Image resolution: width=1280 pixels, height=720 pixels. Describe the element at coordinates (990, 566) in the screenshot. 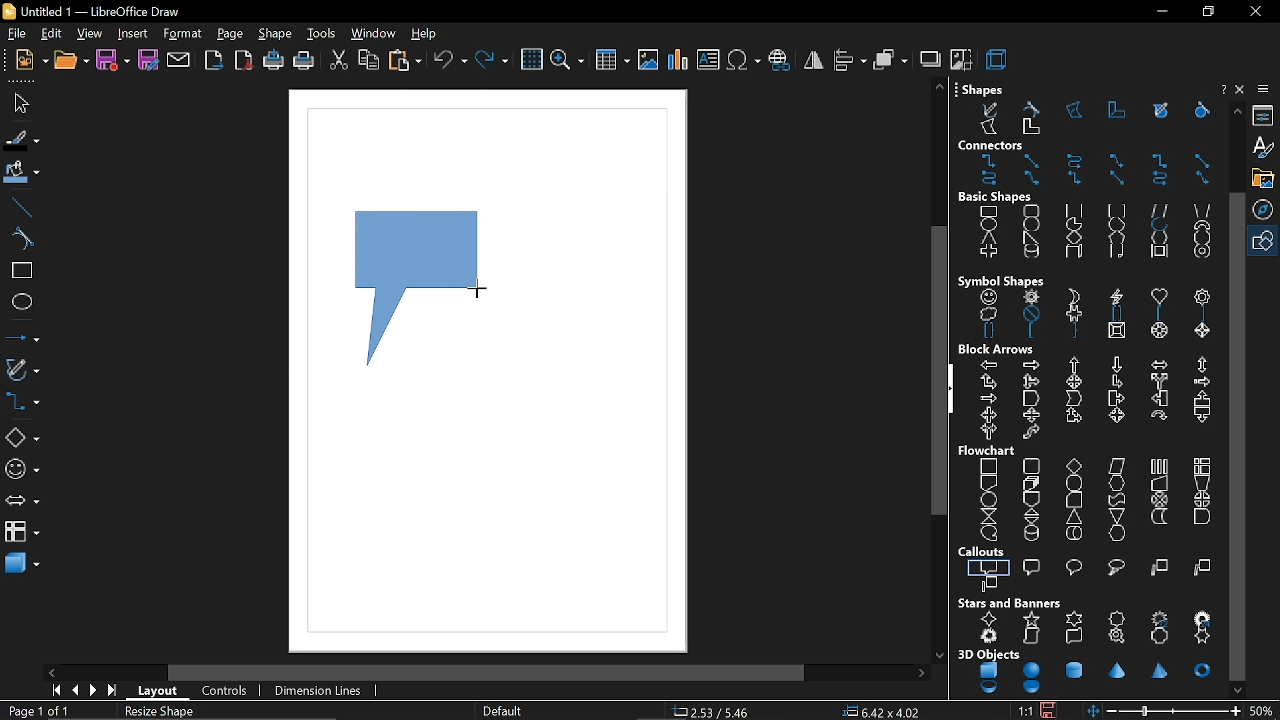

I see `rectangular` at that location.